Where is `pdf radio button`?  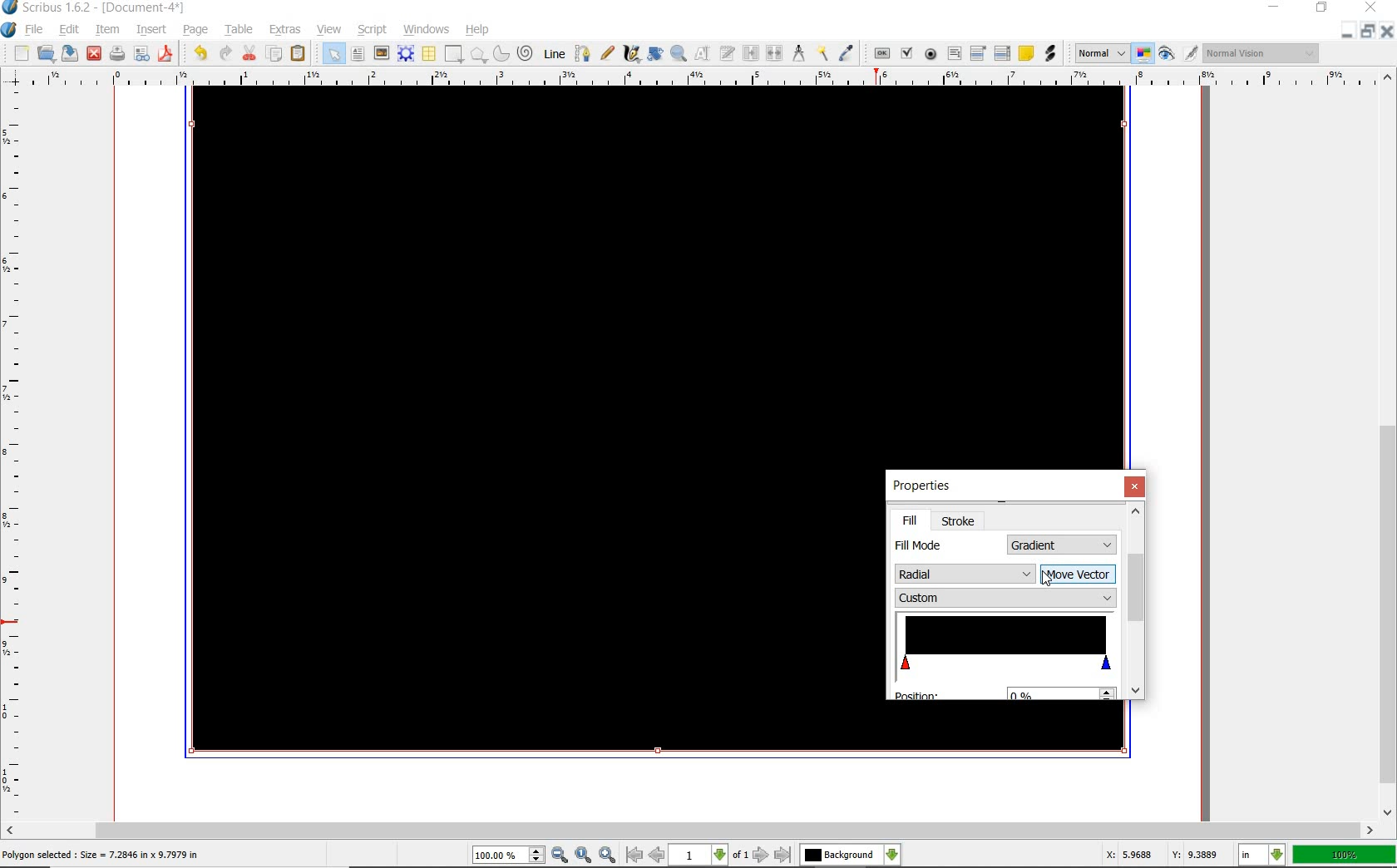 pdf radio button is located at coordinates (929, 55).